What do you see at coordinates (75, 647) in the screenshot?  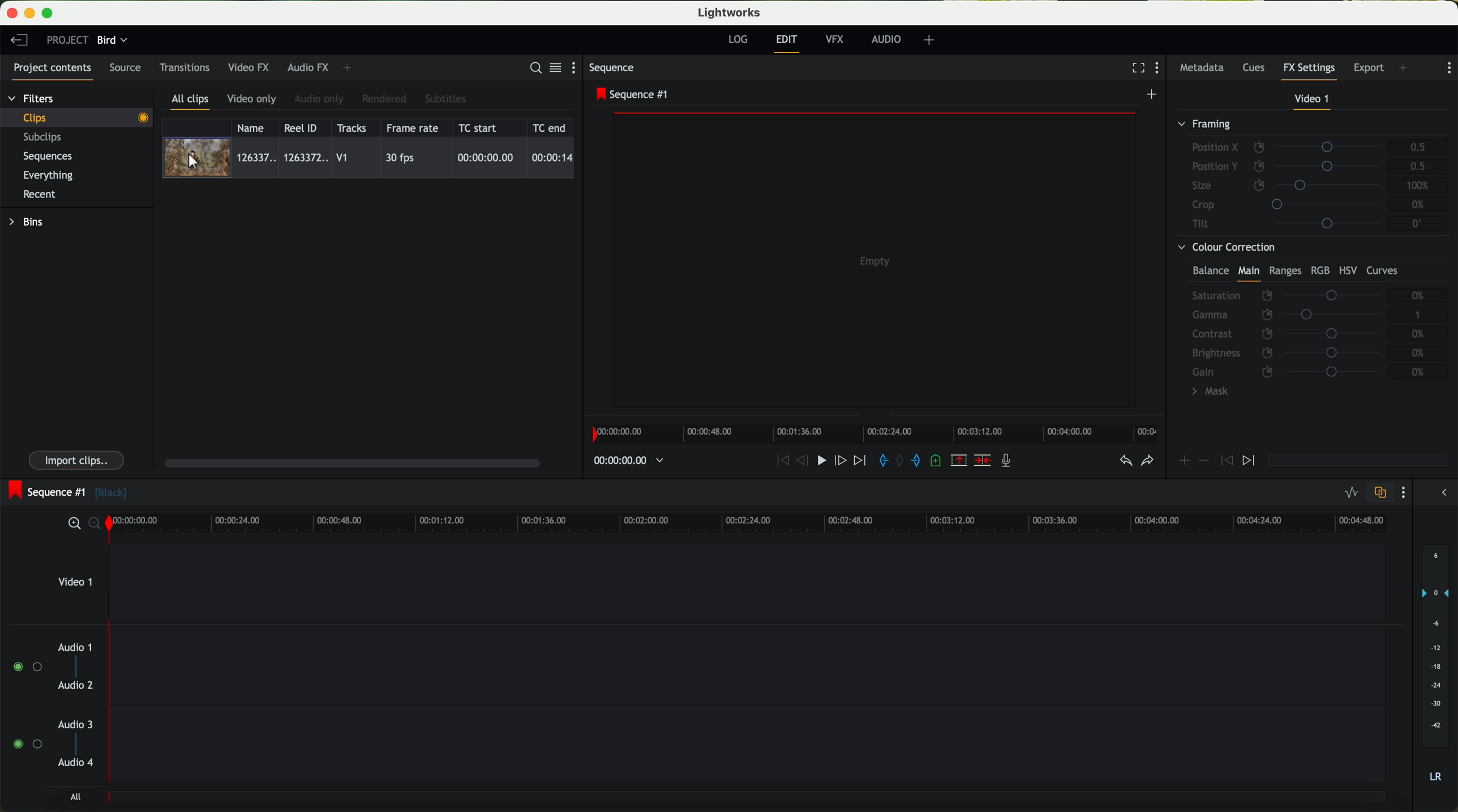 I see `audio 1` at bounding box center [75, 647].